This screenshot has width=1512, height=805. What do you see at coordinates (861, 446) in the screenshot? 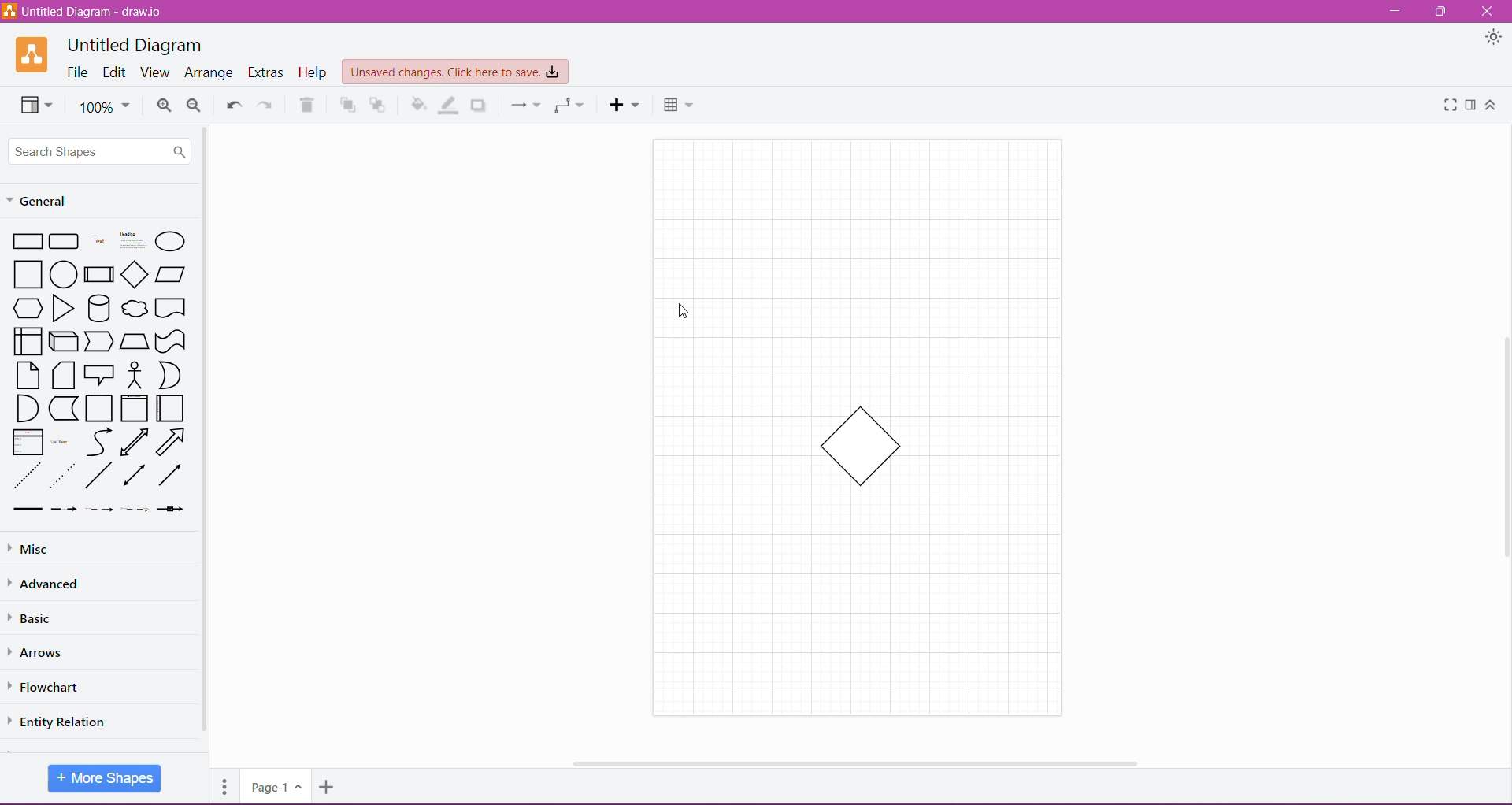
I see `Selected Diamond shape inserted onto the Canvas` at bounding box center [861, 446].